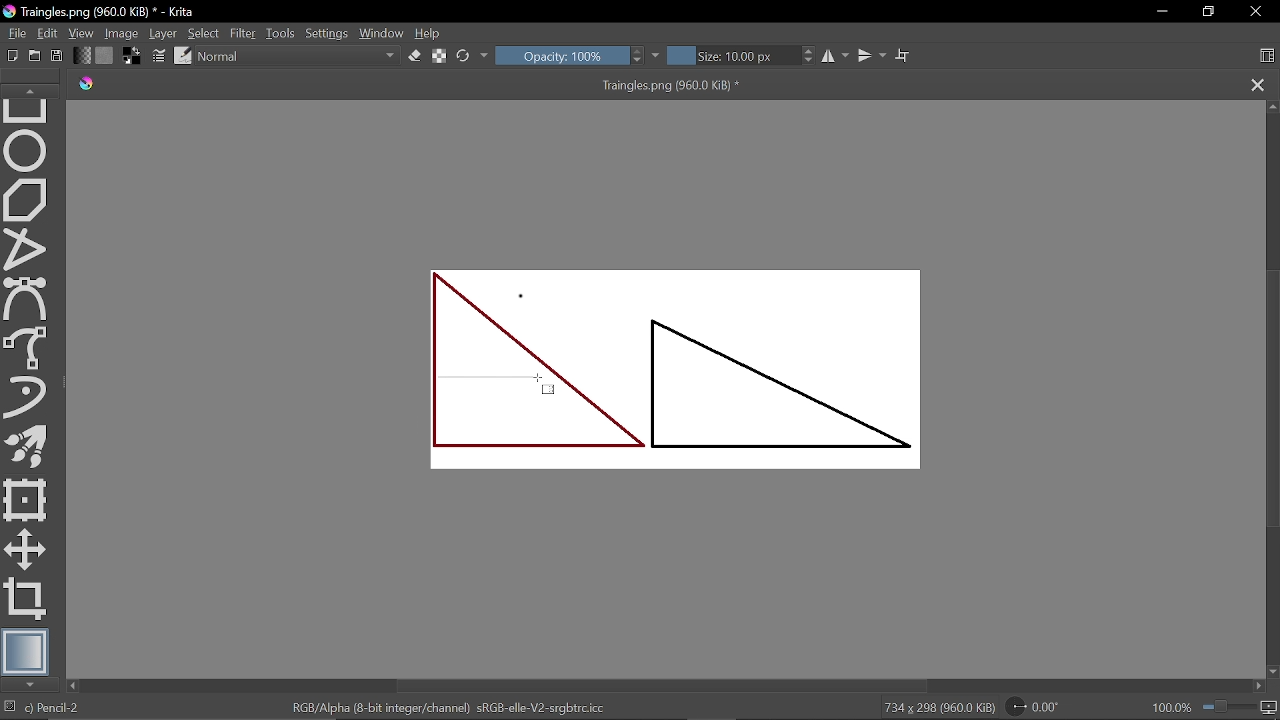 This screenshot has height=720, width=1280. What do you see at coordinates (184, 55) in the screenshot?
I see `edit brush preset` at bounding box center [184, 55].